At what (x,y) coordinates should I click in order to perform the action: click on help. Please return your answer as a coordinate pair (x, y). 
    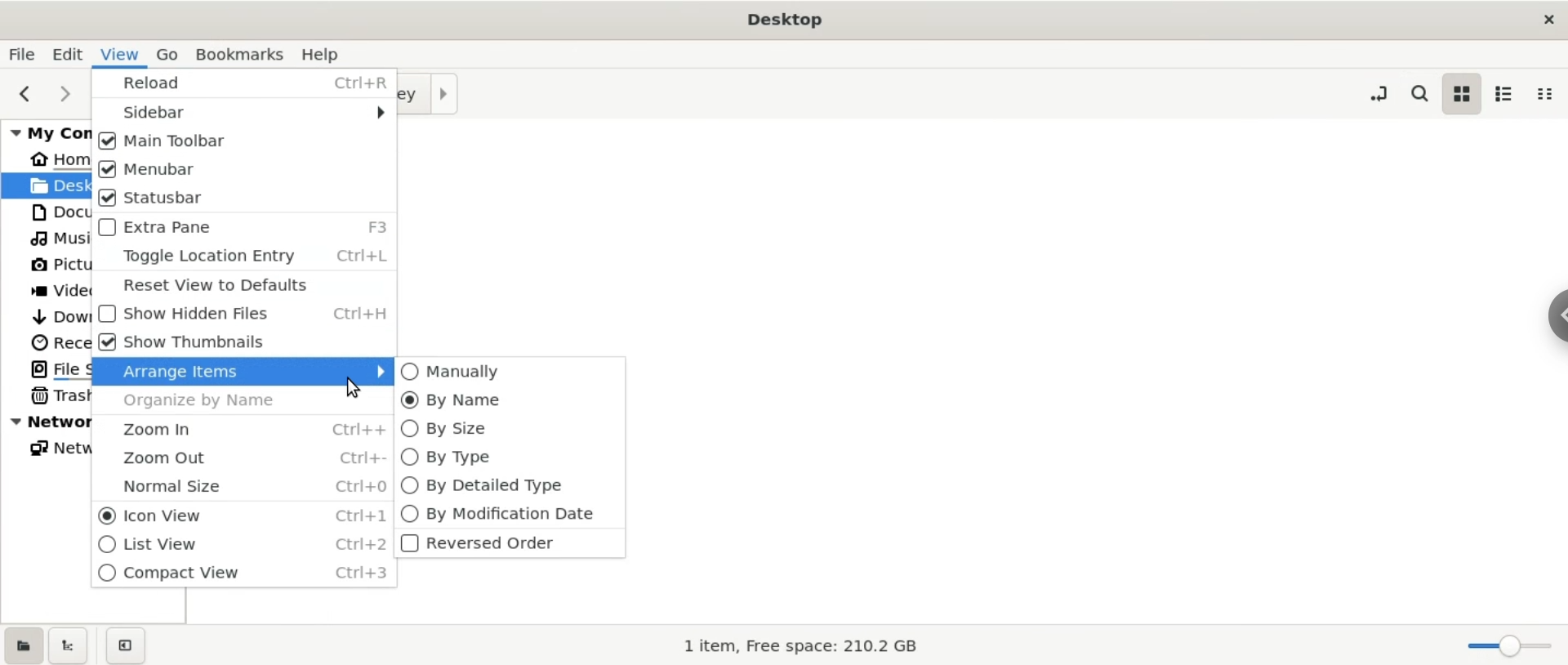
    Looking at the image, I should click on (331, 53).